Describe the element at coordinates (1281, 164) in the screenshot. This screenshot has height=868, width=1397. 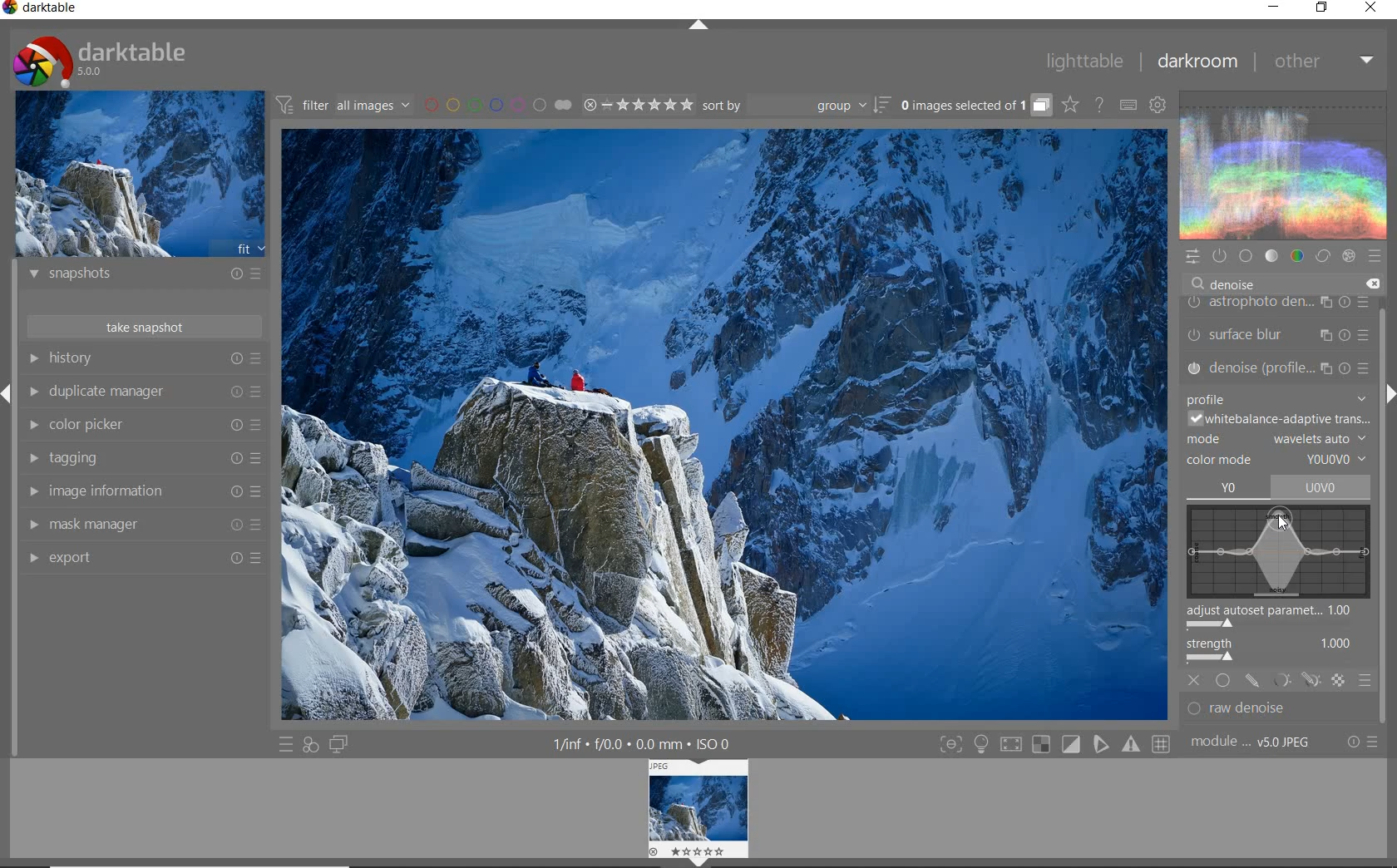
I see `waveform` at that location.